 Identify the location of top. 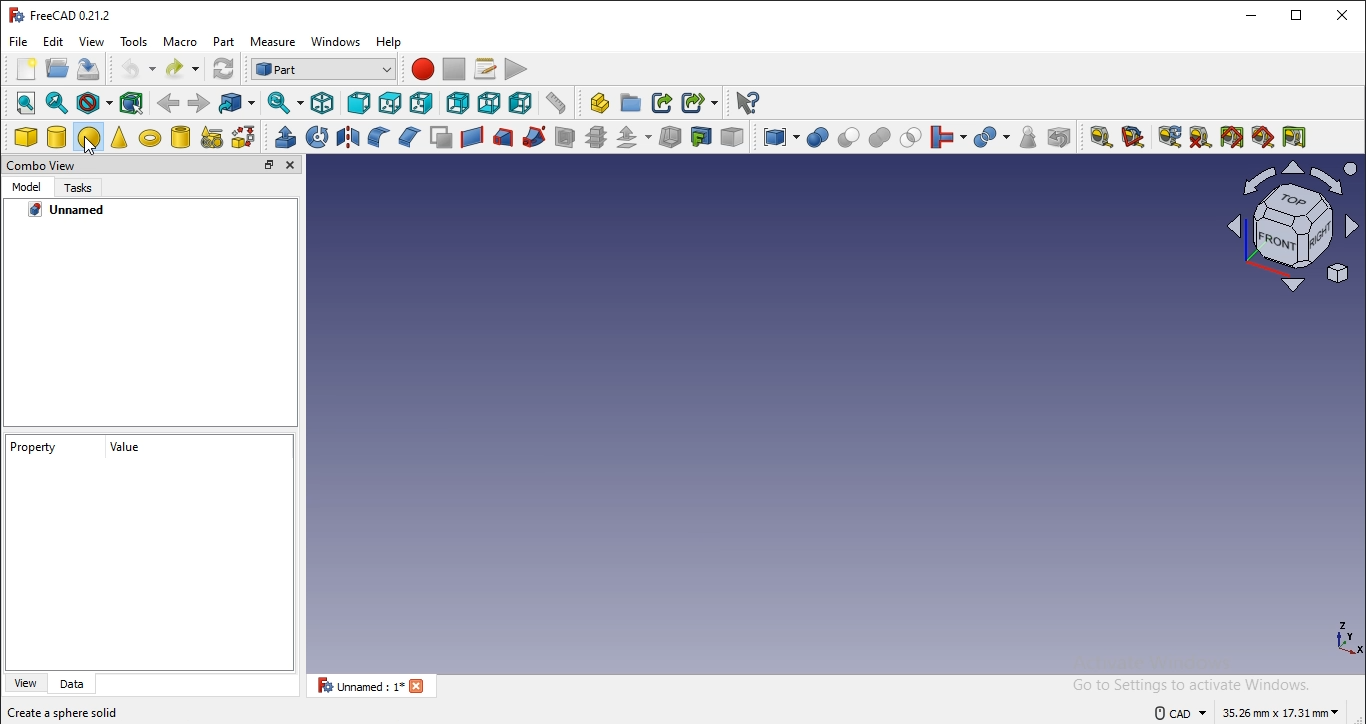
(390, 103).